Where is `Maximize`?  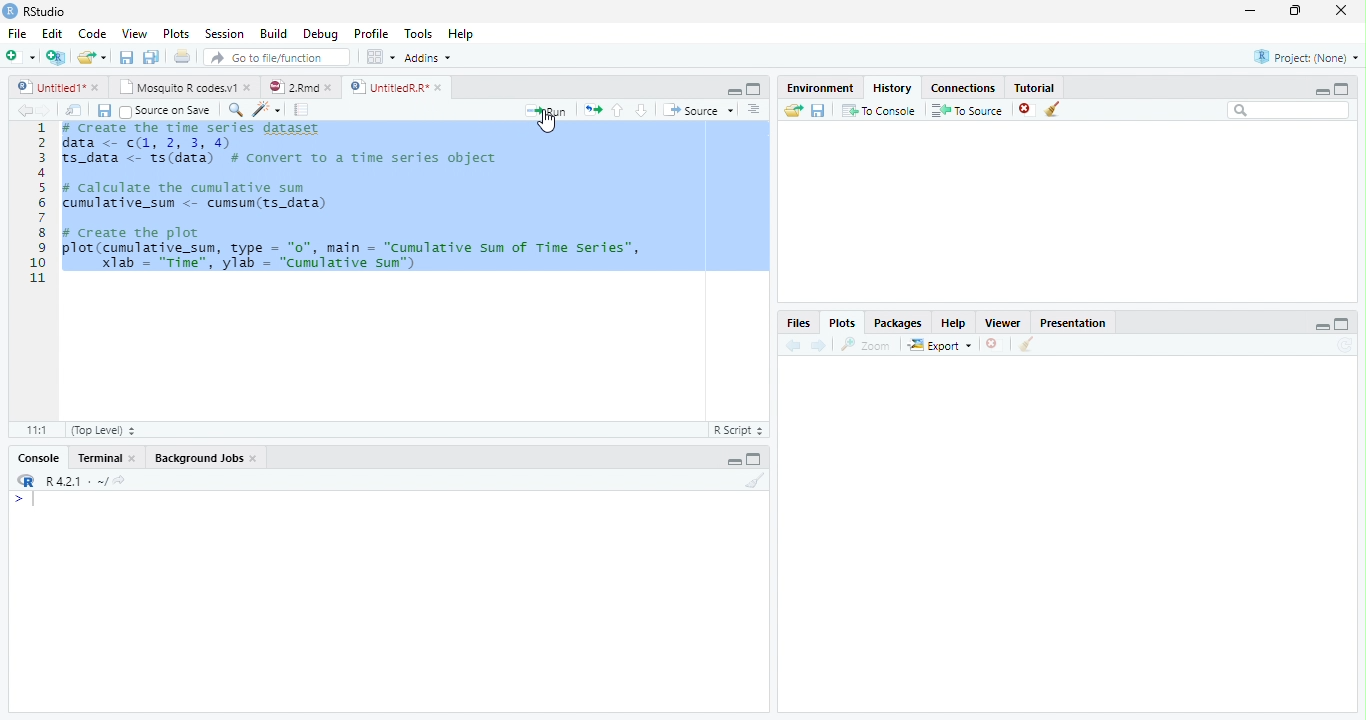 Maximize is located at coordinates (755, 91).